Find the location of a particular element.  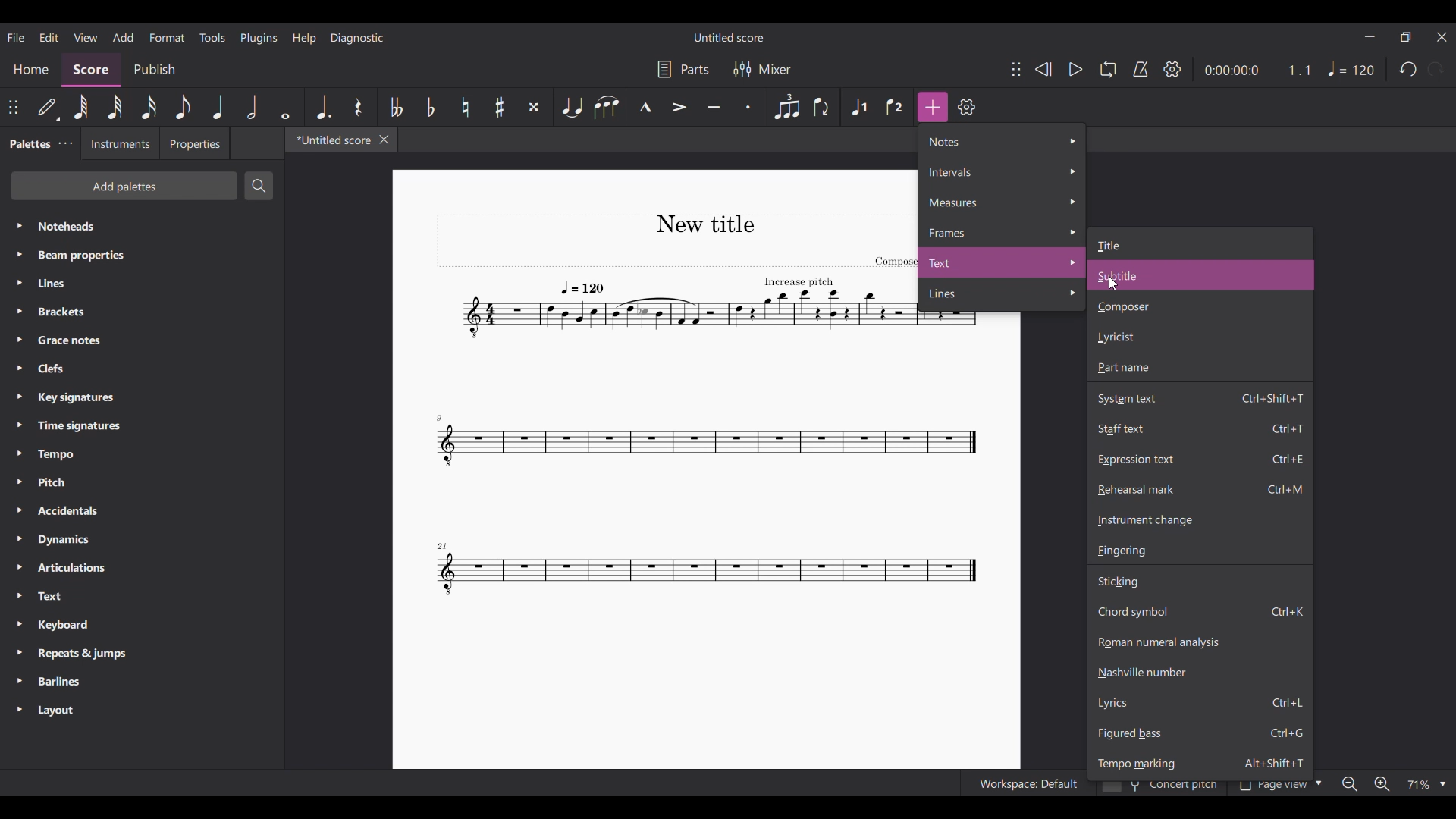

Staff text is located at coordinates (1200, 428).